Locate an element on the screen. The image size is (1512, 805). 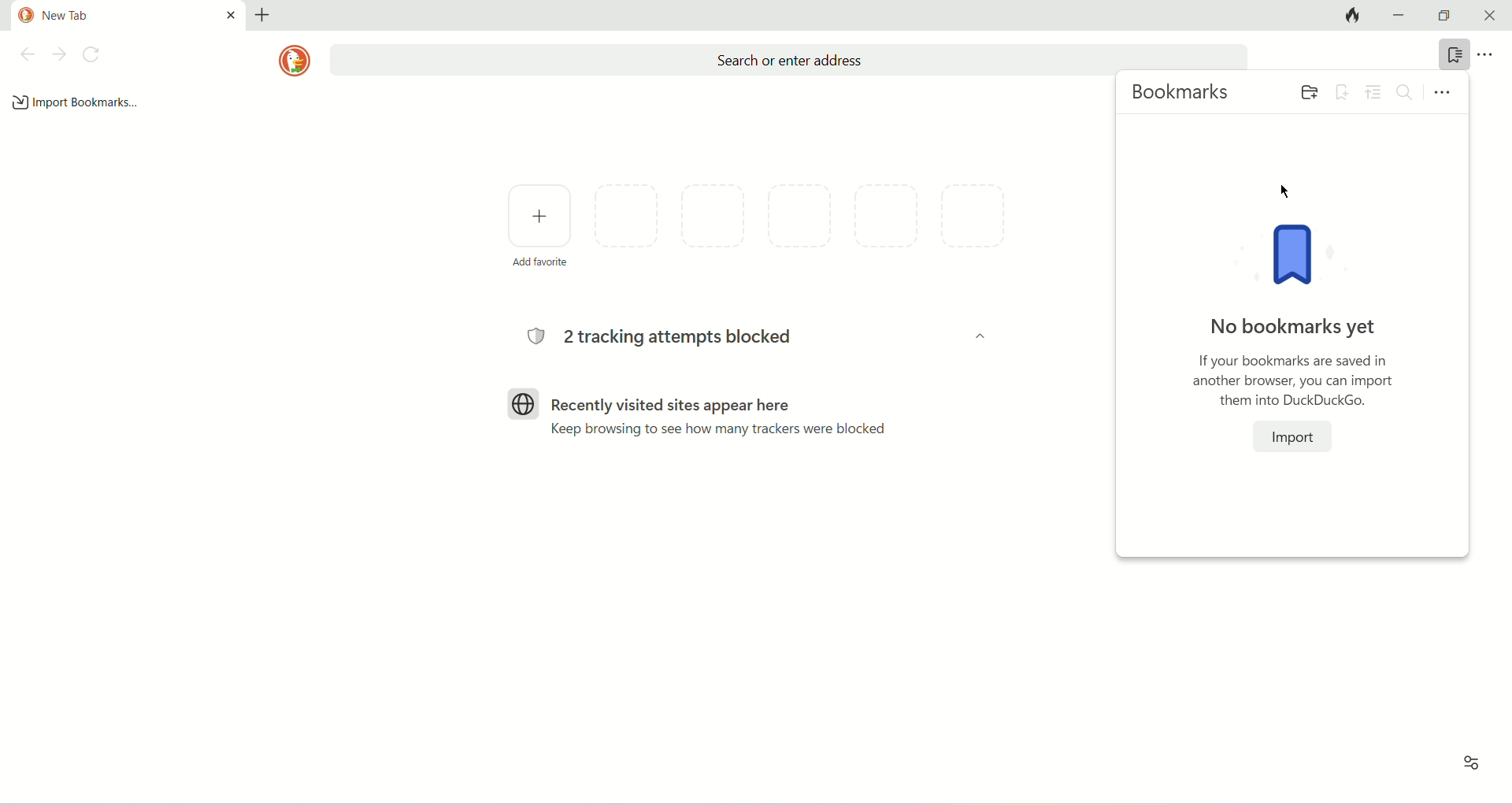
bookmarks is located at coordinates (1183, 95).